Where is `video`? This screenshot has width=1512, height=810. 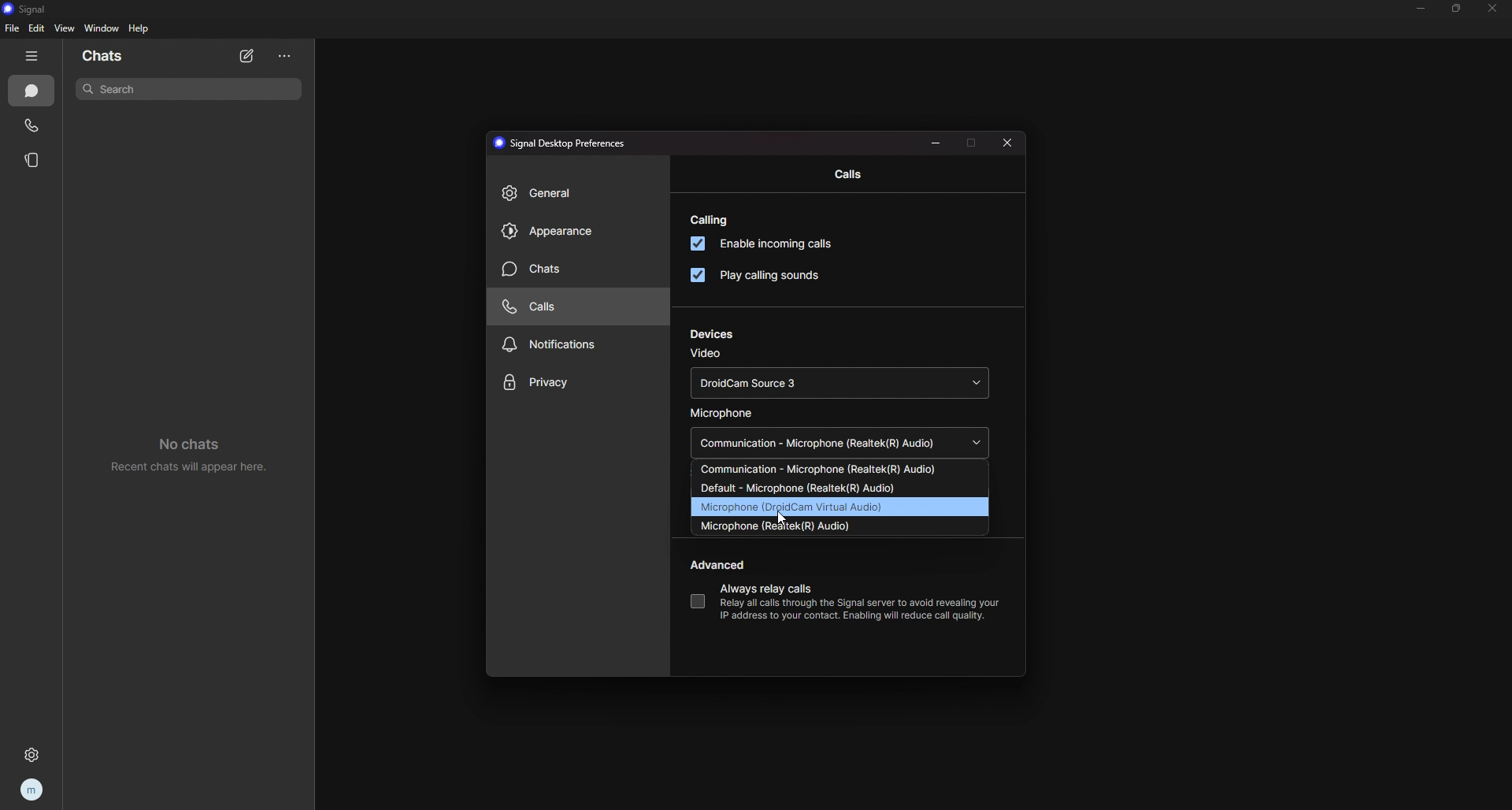
video is located at coordinates (708, 355).